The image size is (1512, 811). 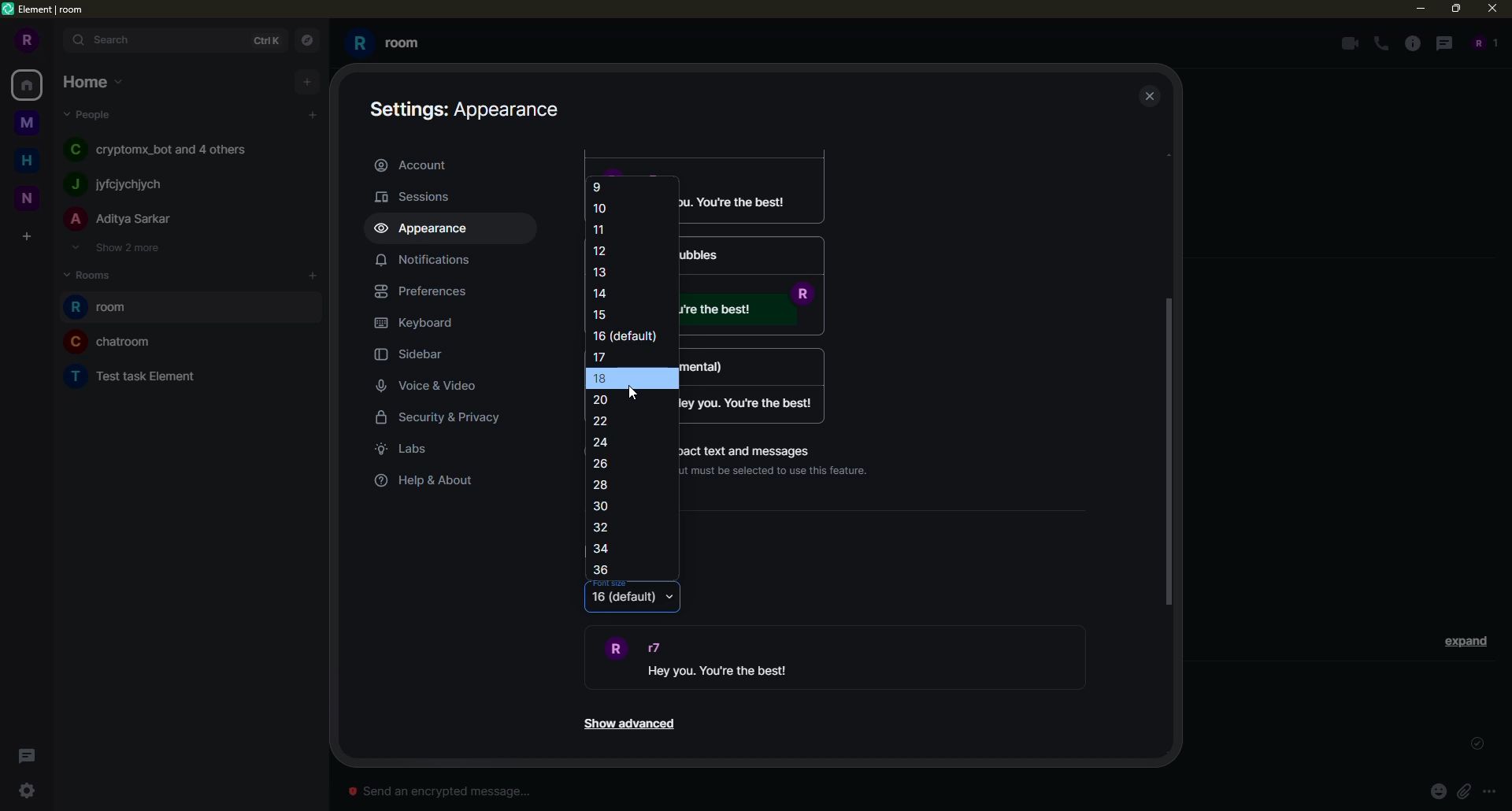 I want to click on home, so click(x=30, y=84).